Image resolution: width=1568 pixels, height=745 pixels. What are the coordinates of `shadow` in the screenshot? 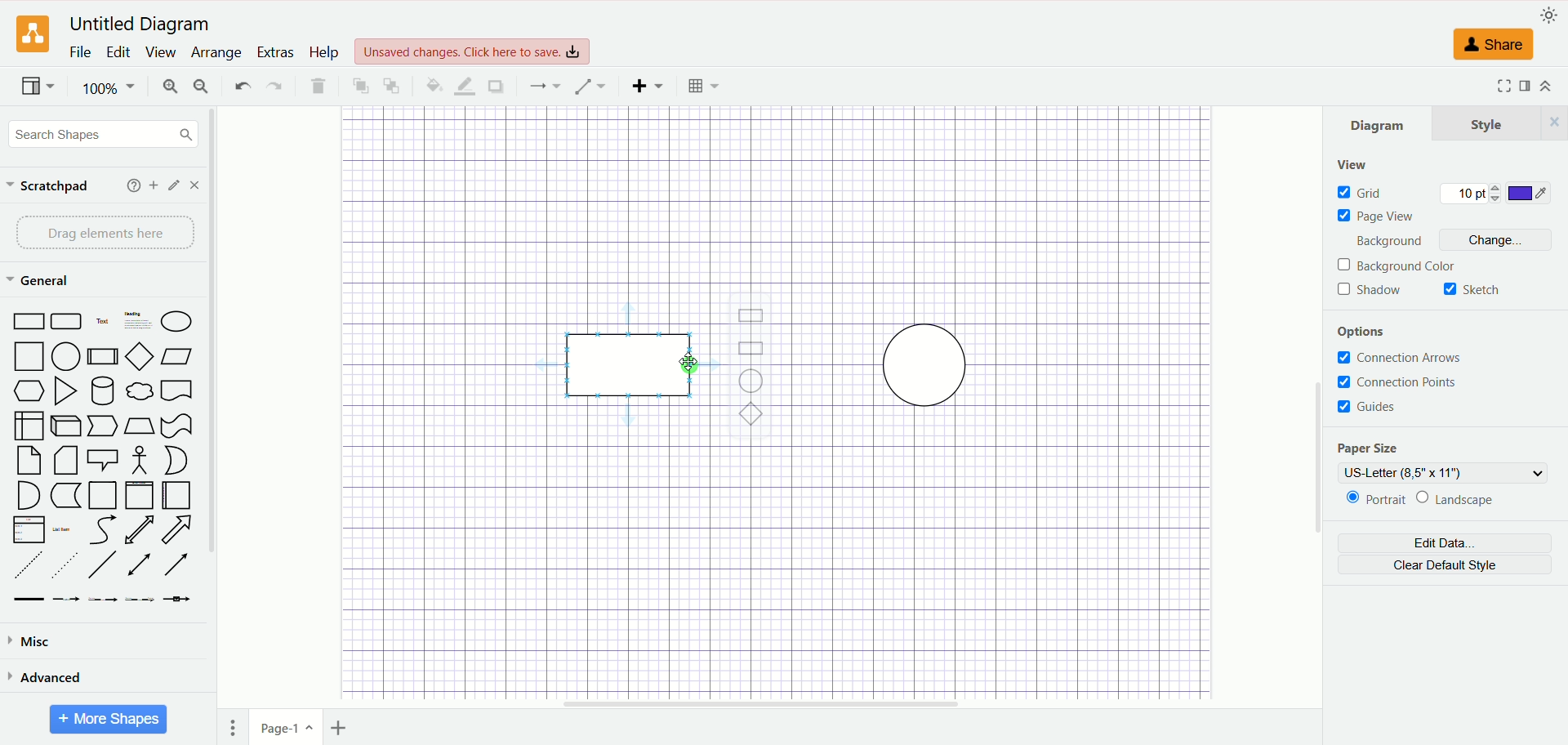 It's located at (496, 87).